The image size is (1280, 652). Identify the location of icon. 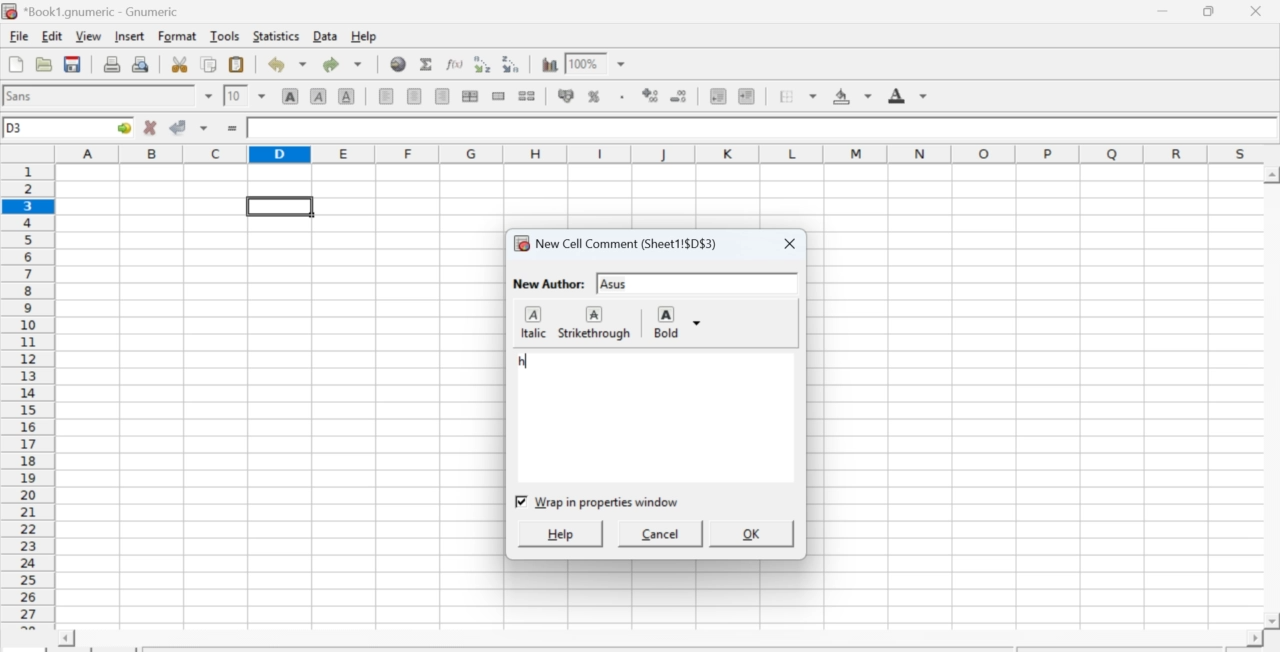
(522, 244).